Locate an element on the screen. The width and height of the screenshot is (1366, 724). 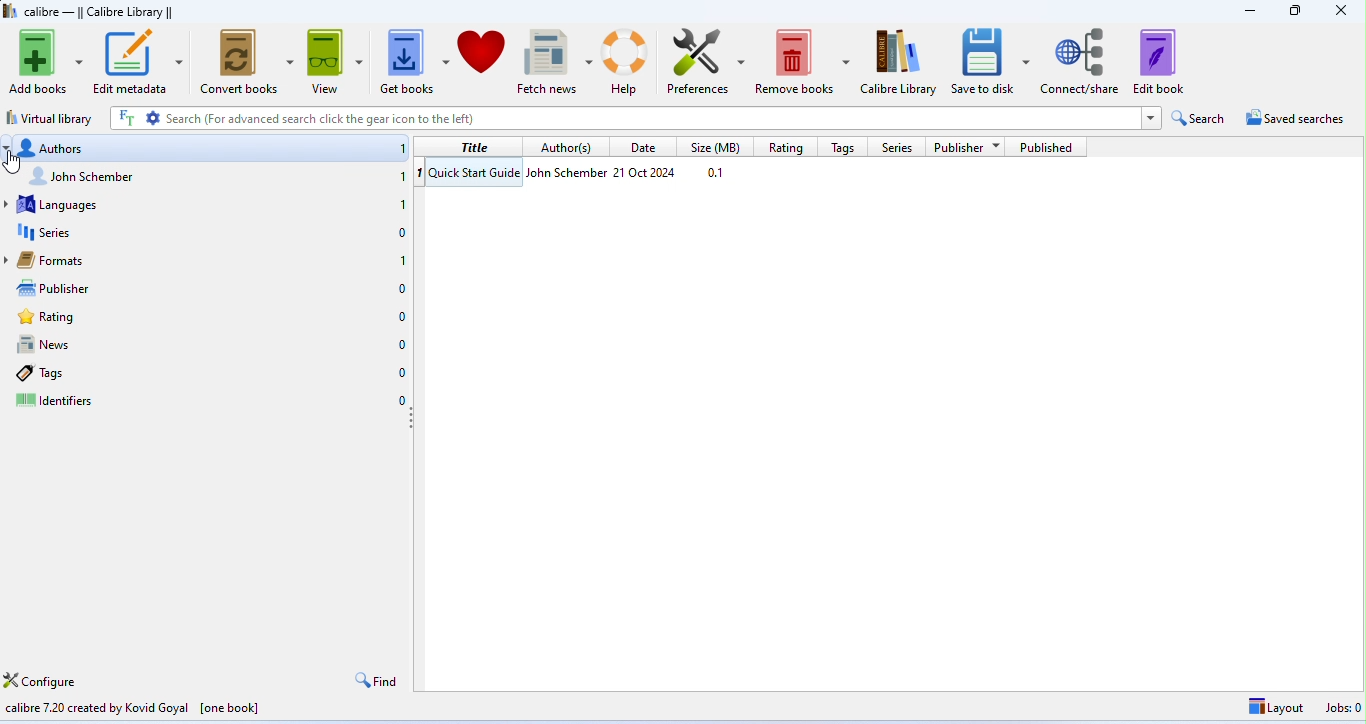
donate to support calibre is located at coordinates (483, 55).